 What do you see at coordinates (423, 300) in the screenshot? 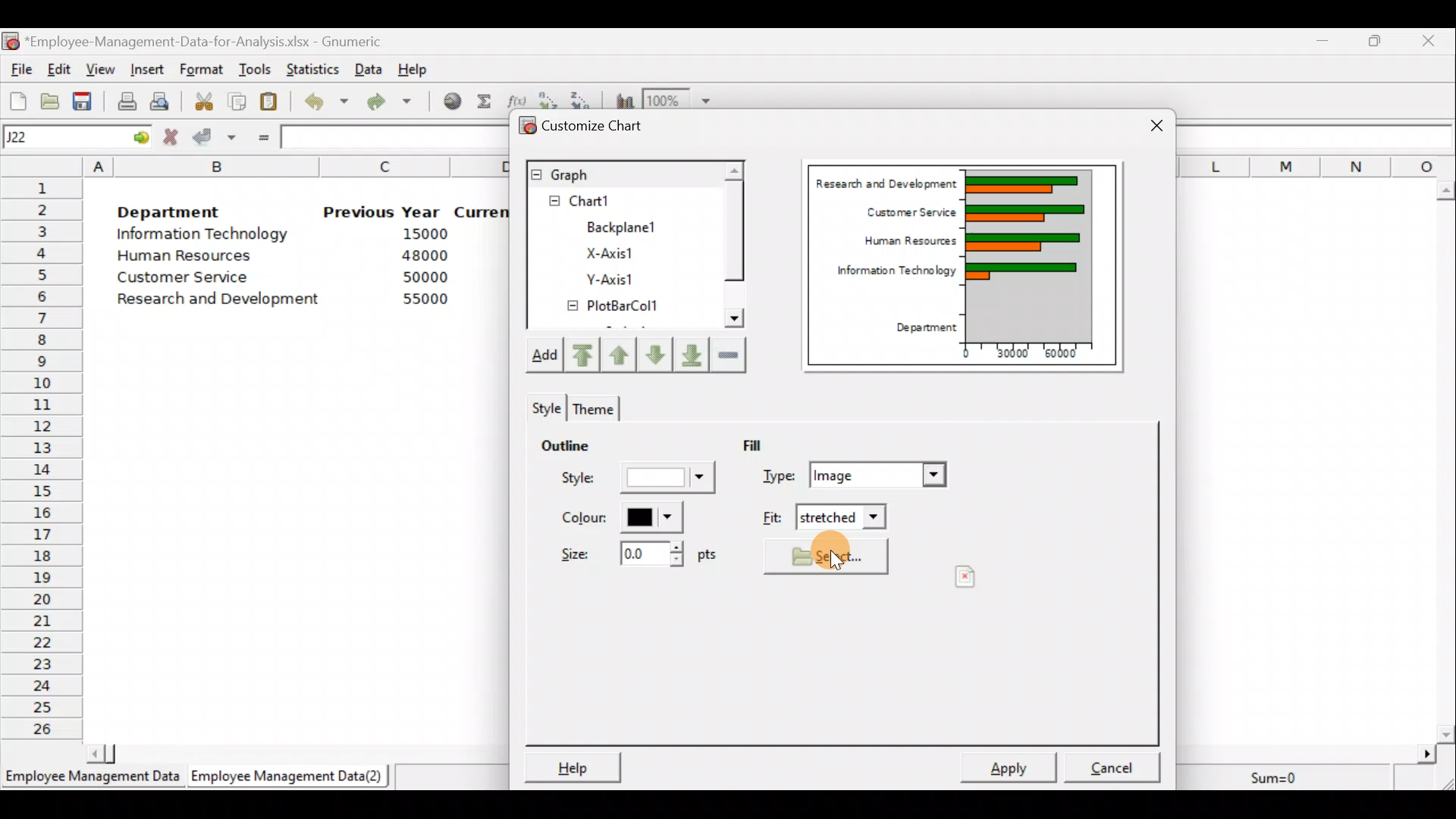
I see `55000` at bounding box center [423, 300].